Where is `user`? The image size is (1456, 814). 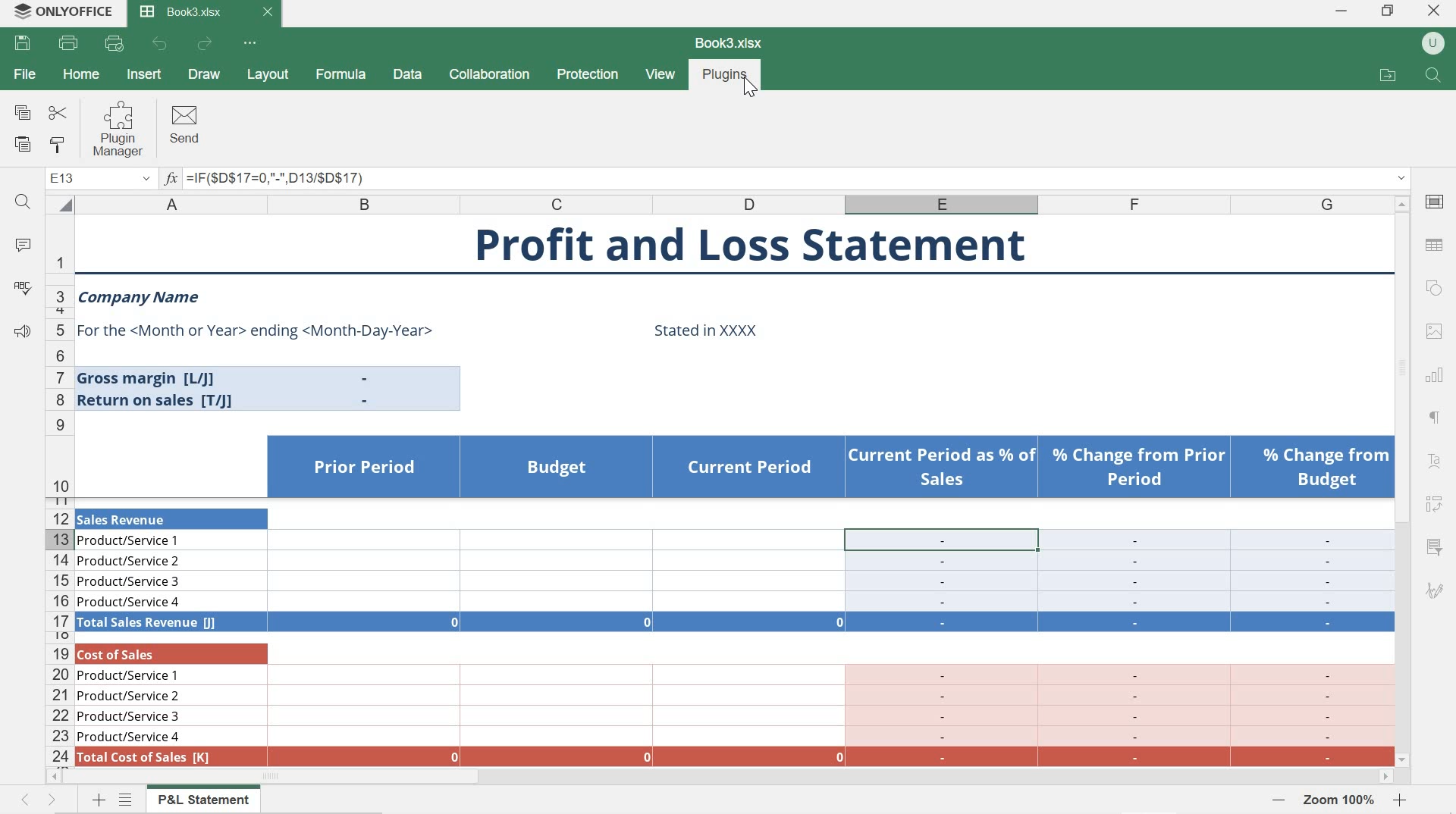
user is located at coordinates (1432, 43).